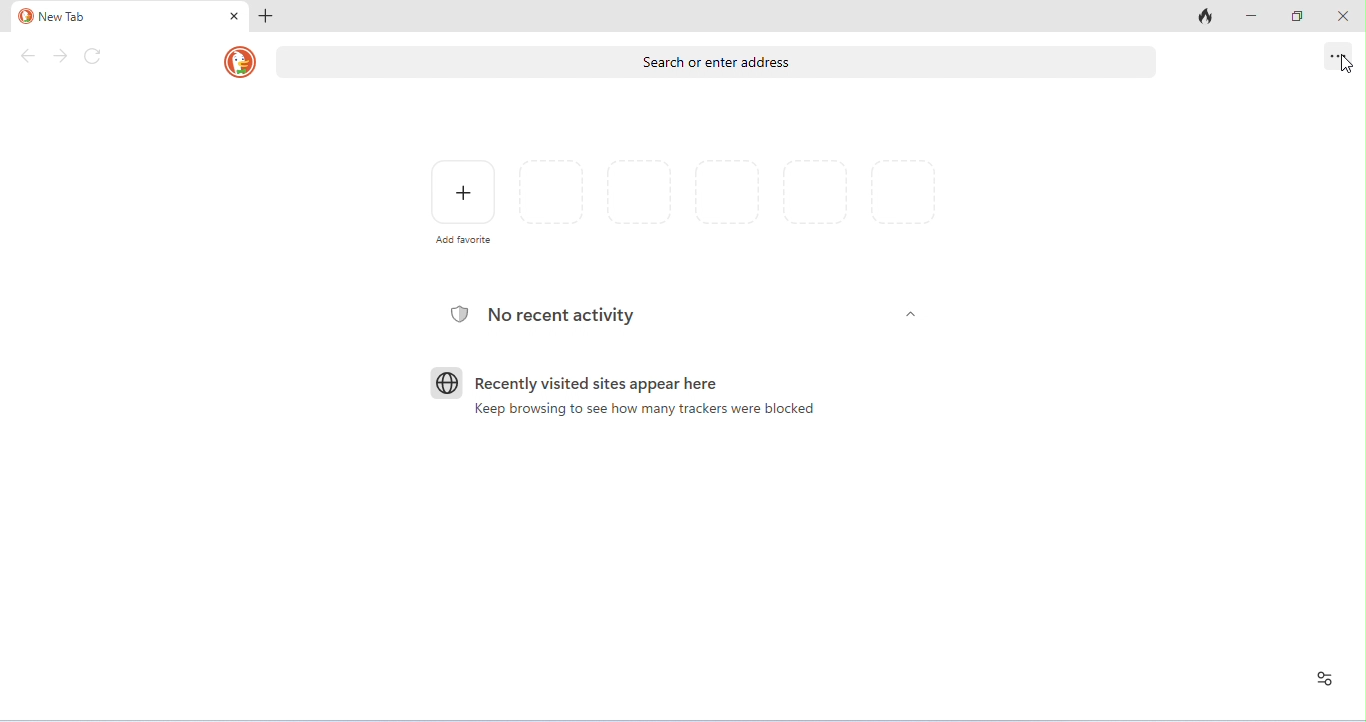  What do you see at coordinates (94, 57) in the screenshot?
I see `refresh` at bounding box center [94, 57].